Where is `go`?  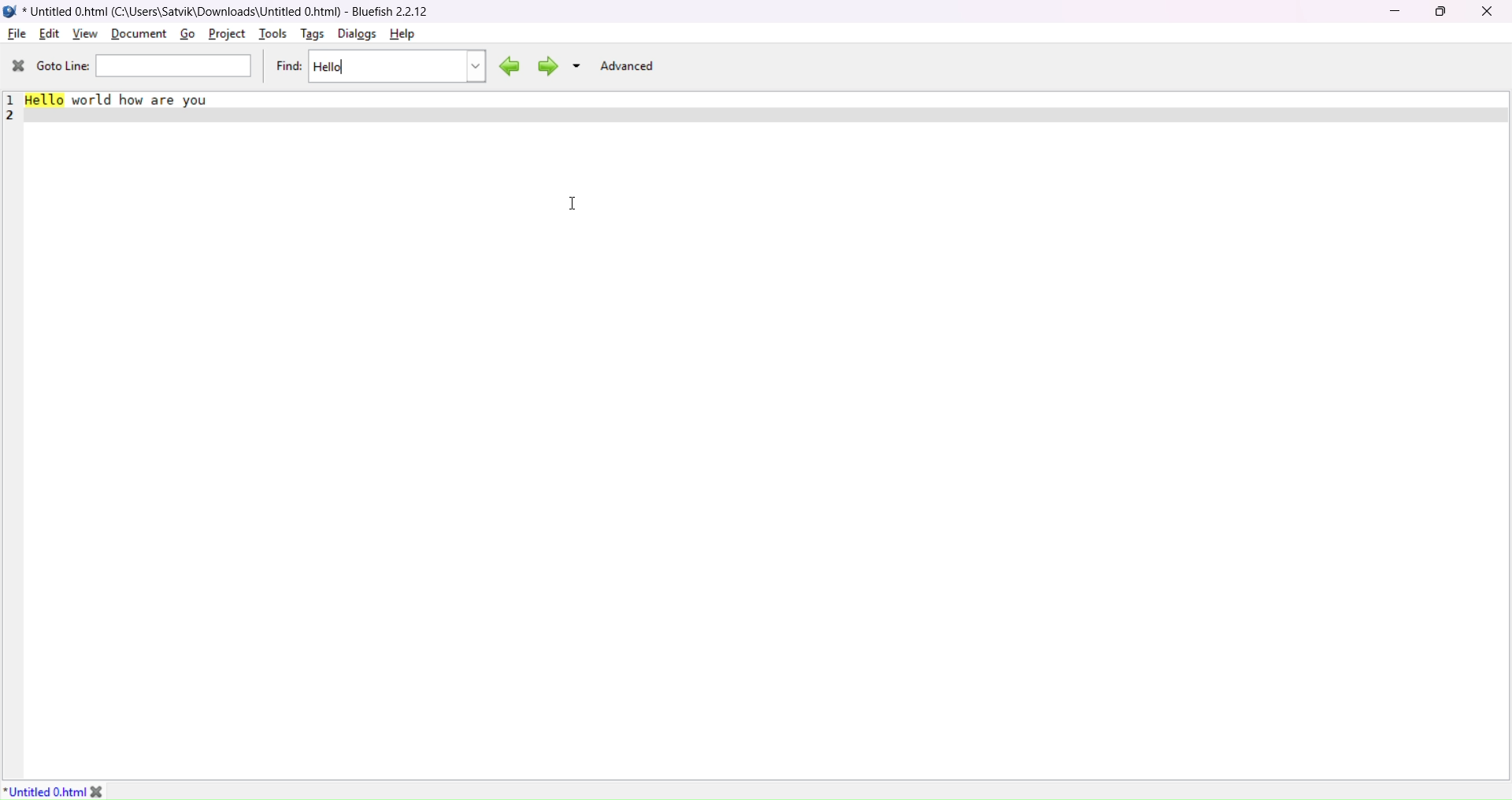
go is located at coordinates (186, 33).